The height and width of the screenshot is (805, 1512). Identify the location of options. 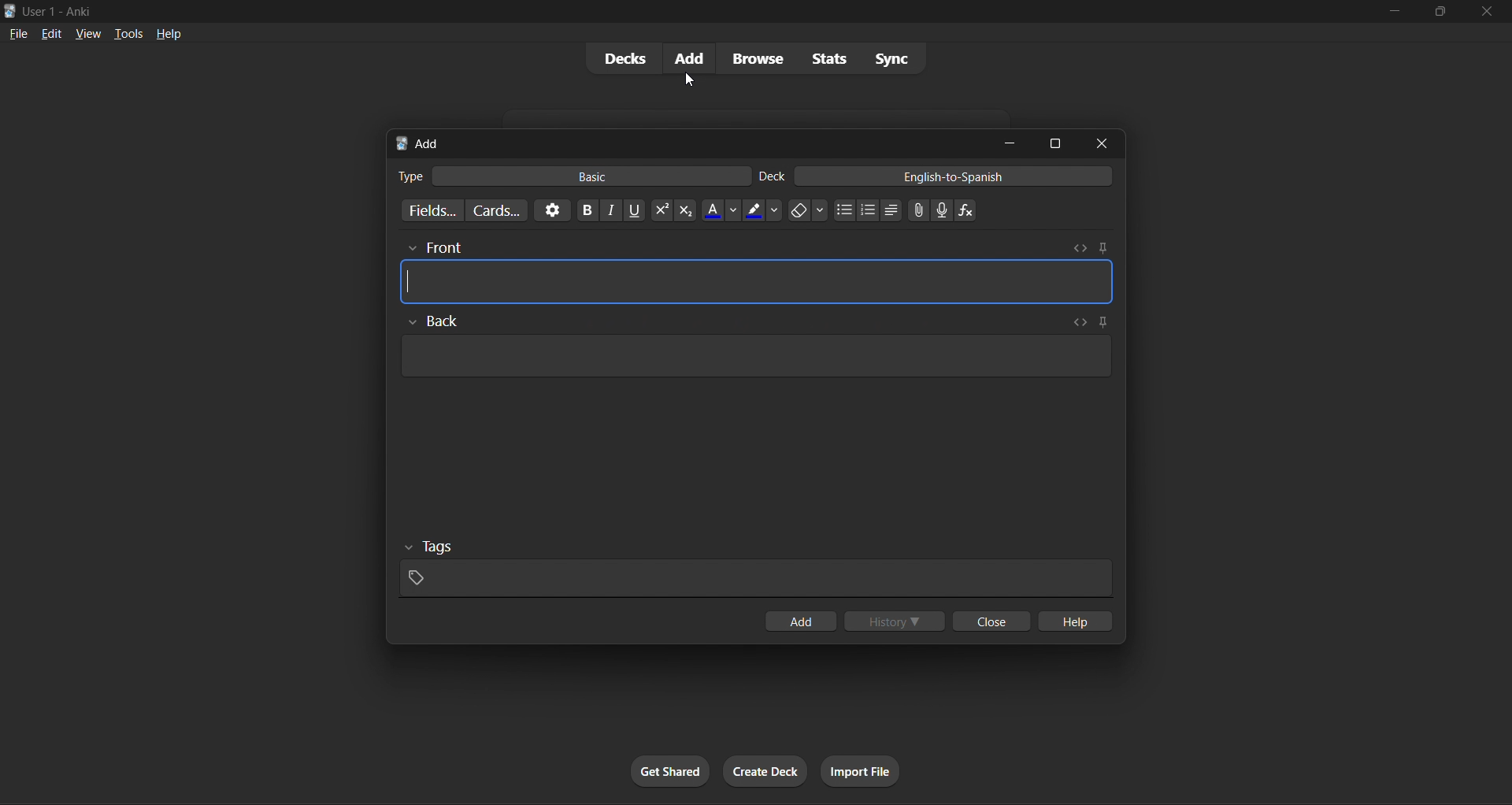
(548, 212).